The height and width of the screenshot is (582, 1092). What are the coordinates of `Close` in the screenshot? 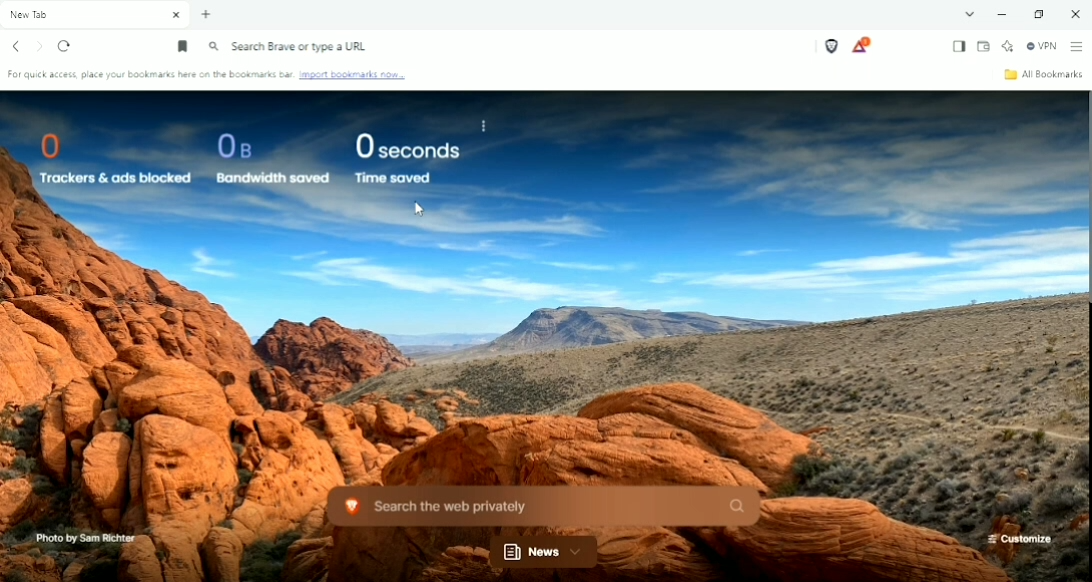 It's located at (1074, 13).